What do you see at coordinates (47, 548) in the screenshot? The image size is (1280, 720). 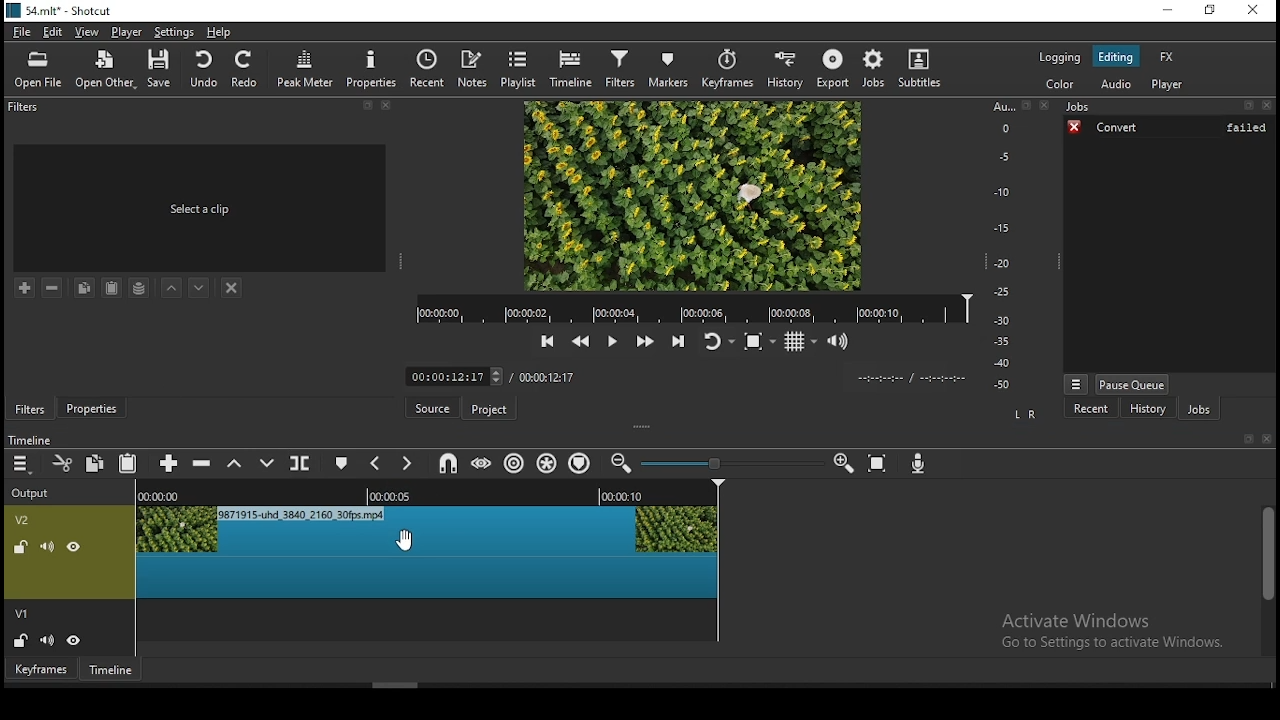 I see `(un)mute` at bounding box center [47, 548].